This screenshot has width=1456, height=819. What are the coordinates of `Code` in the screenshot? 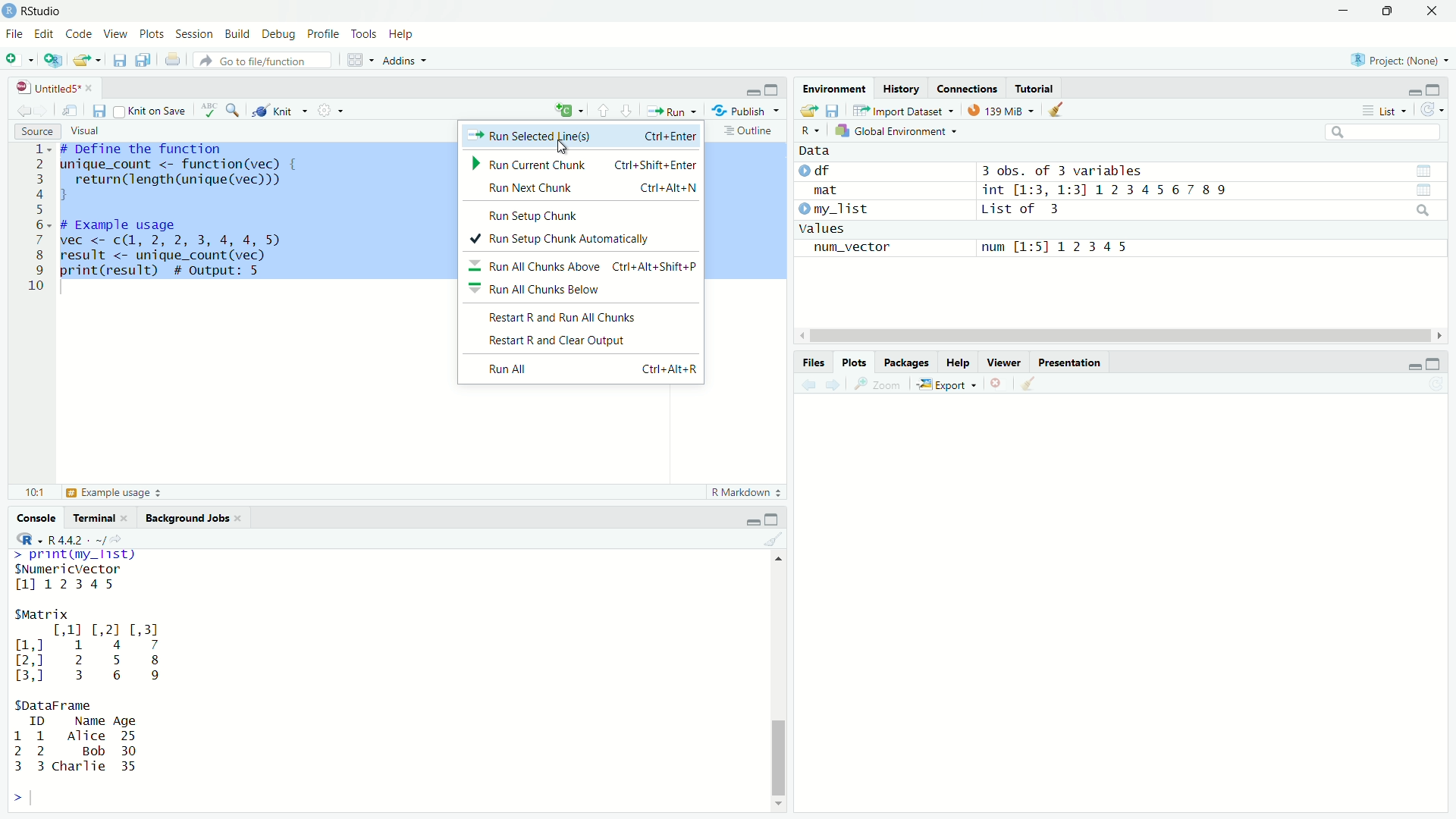 It's located at (80, 35).